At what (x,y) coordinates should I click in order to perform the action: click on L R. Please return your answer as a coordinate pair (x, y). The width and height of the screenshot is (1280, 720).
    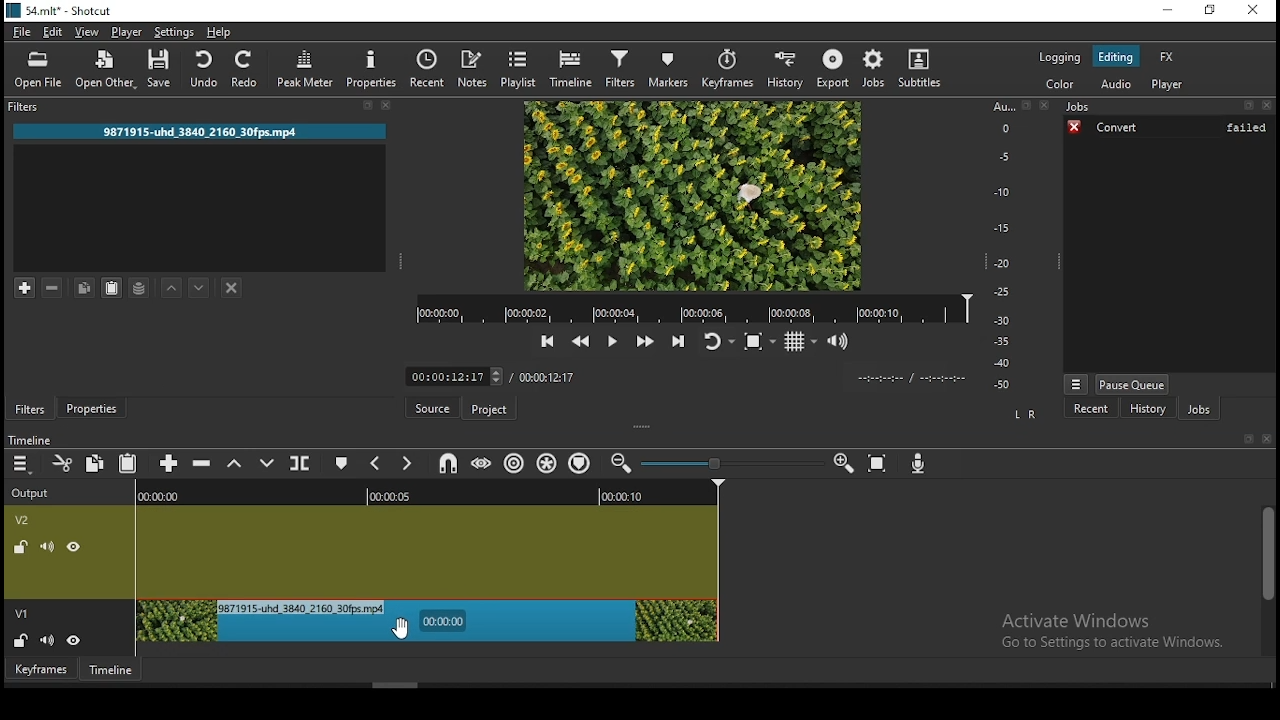
    Looking at the image, I should click on (1025, 416).